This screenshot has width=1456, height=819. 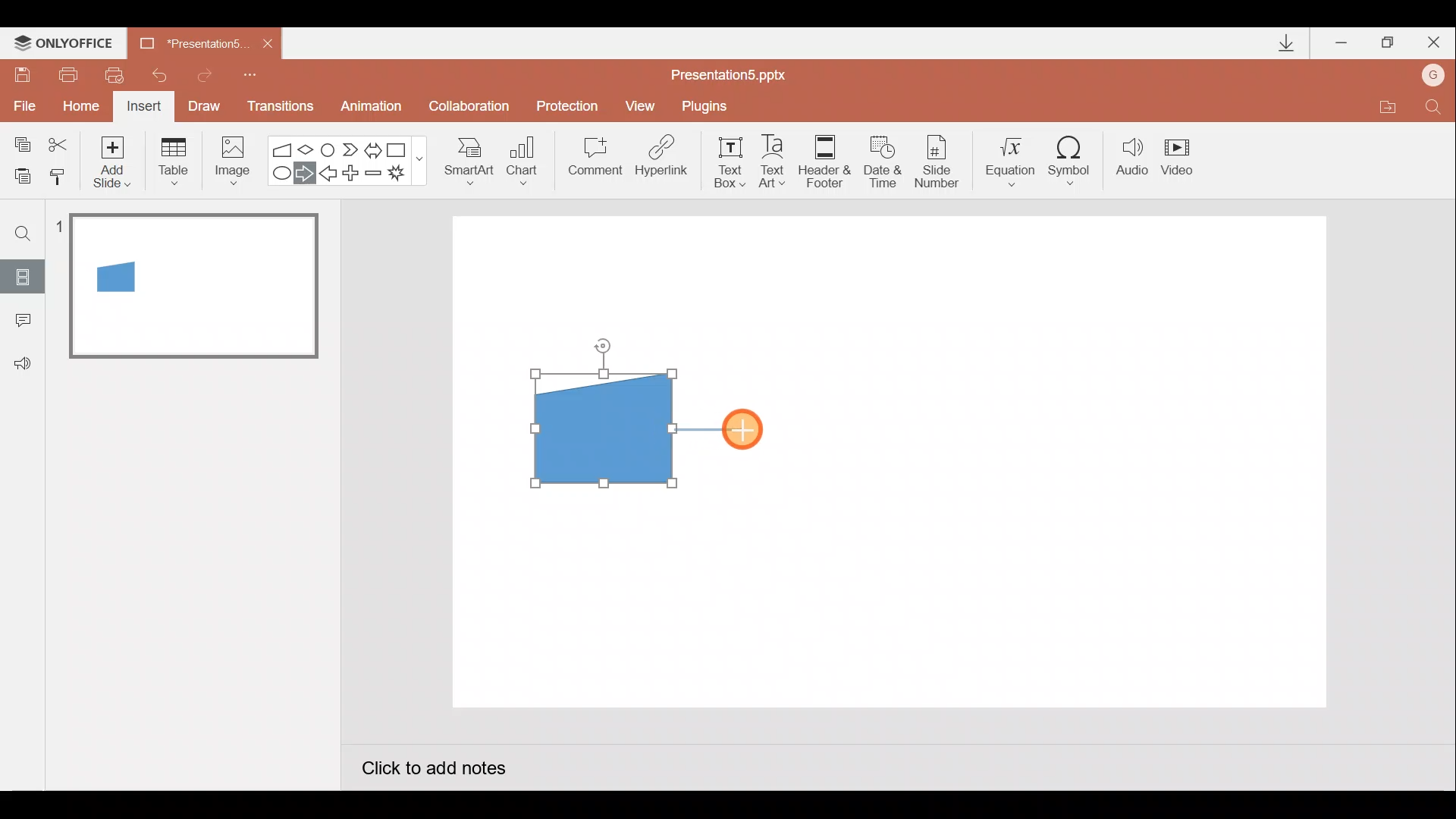 What do you see at coordinates (250, 73) in the screenshot?
I see `Customize quick access toolbar` at bounding box center [250, 73].